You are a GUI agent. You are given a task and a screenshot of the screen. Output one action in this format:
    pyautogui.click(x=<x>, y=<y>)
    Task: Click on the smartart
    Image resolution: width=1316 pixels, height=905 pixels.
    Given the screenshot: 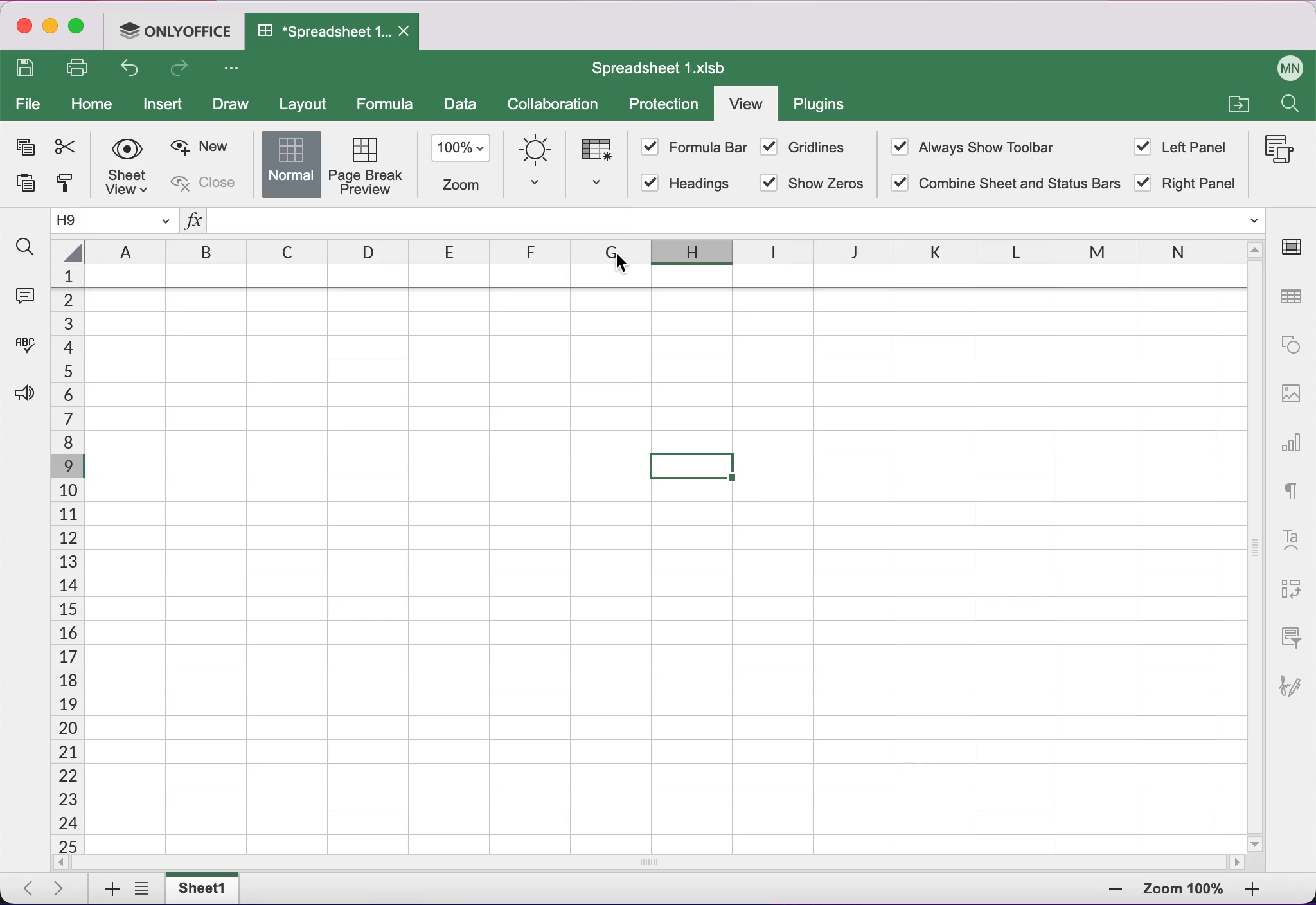 What is the action you would take?
    pyautogui.click(x=364, y=162)
    